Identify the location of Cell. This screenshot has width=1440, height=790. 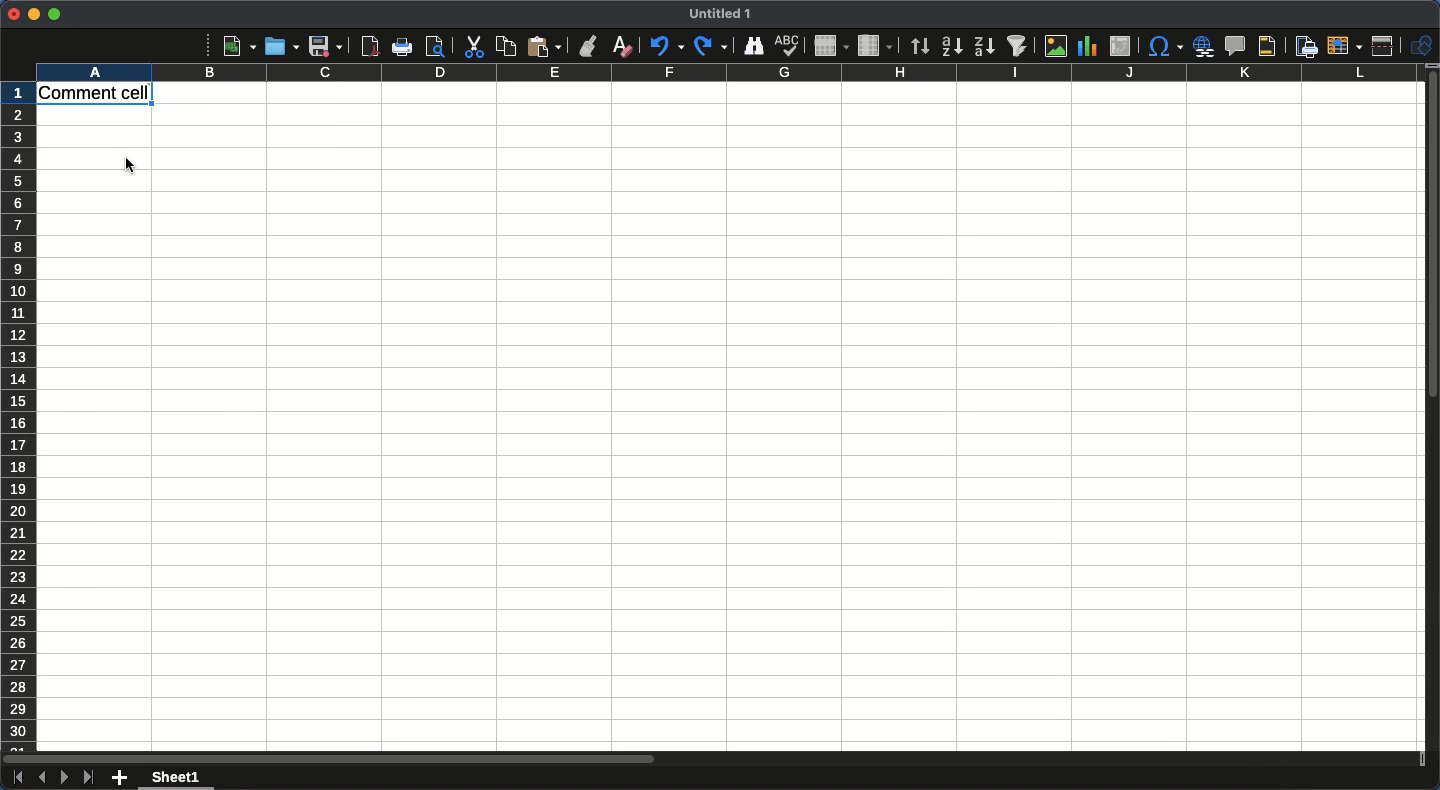
(89, 96).